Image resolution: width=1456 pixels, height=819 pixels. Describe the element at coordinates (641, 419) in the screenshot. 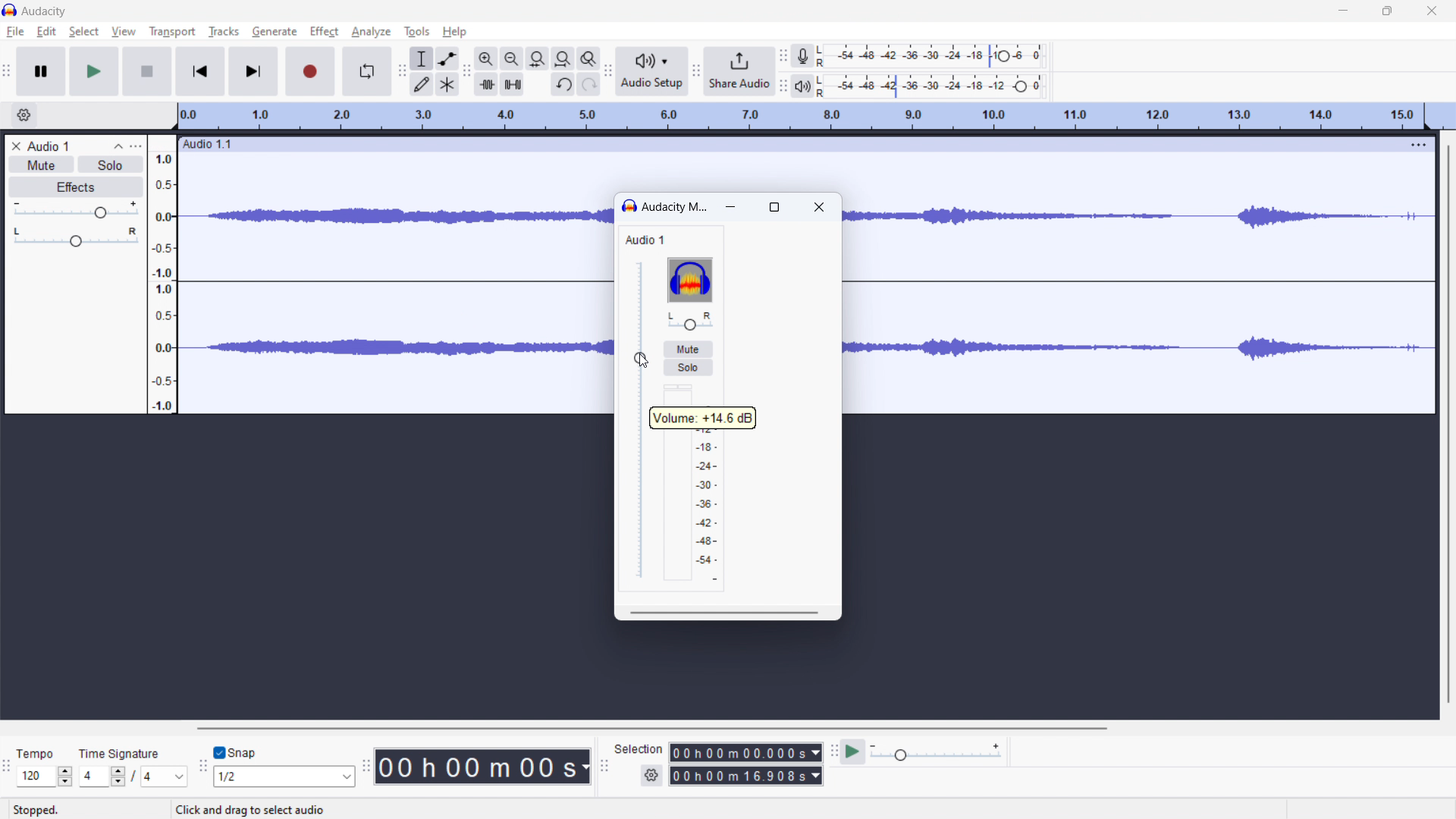

I see `slider` at that location.